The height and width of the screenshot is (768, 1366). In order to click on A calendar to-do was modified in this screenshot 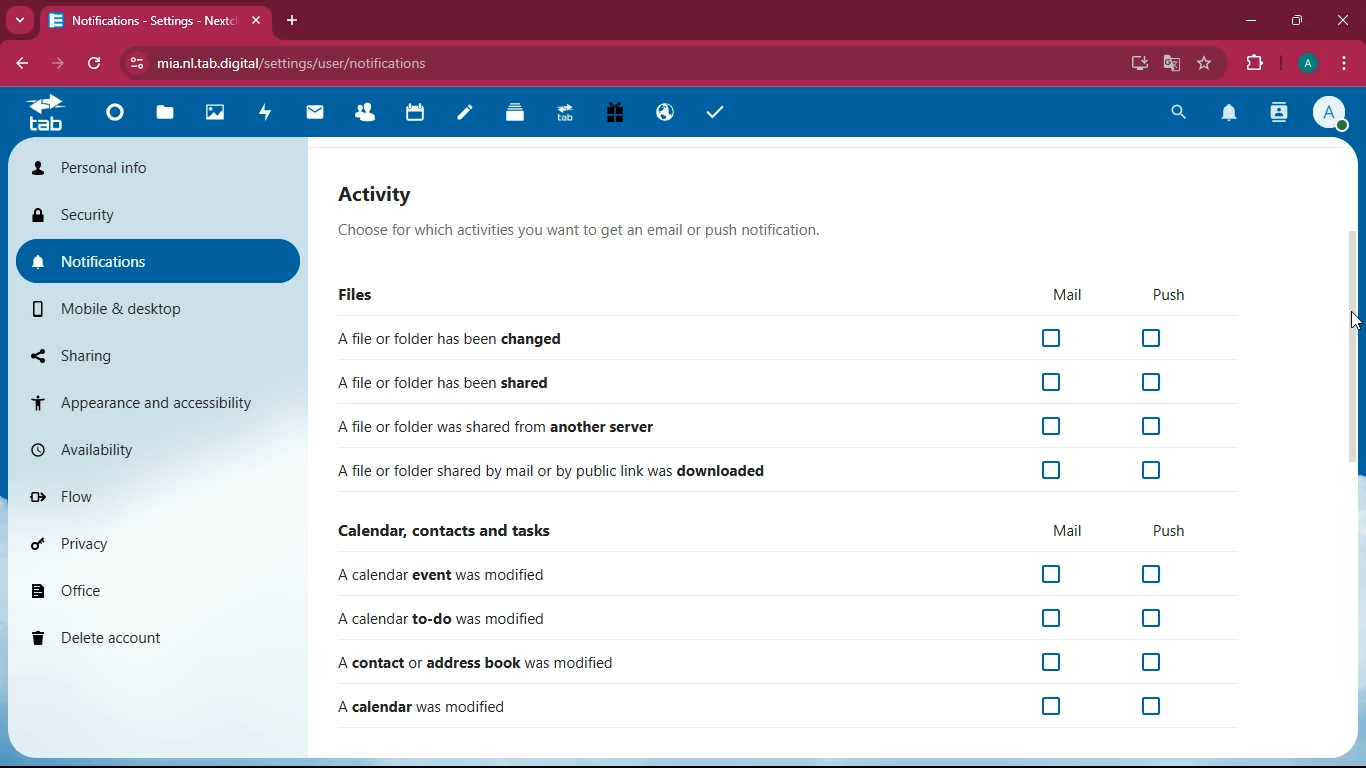, I will do `click(751, 615)`.